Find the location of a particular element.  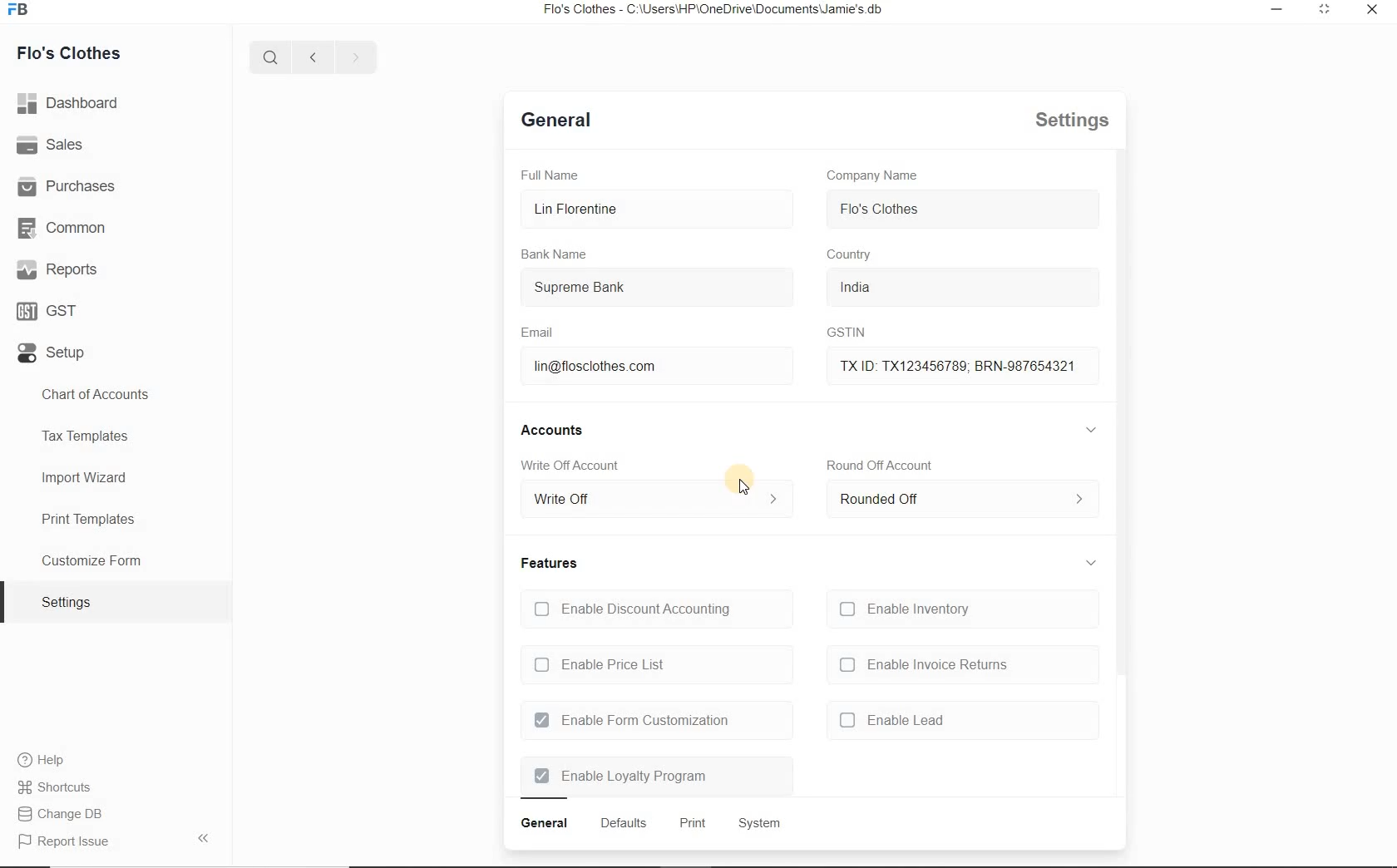

enable lead is located at coordinates (892, 719).